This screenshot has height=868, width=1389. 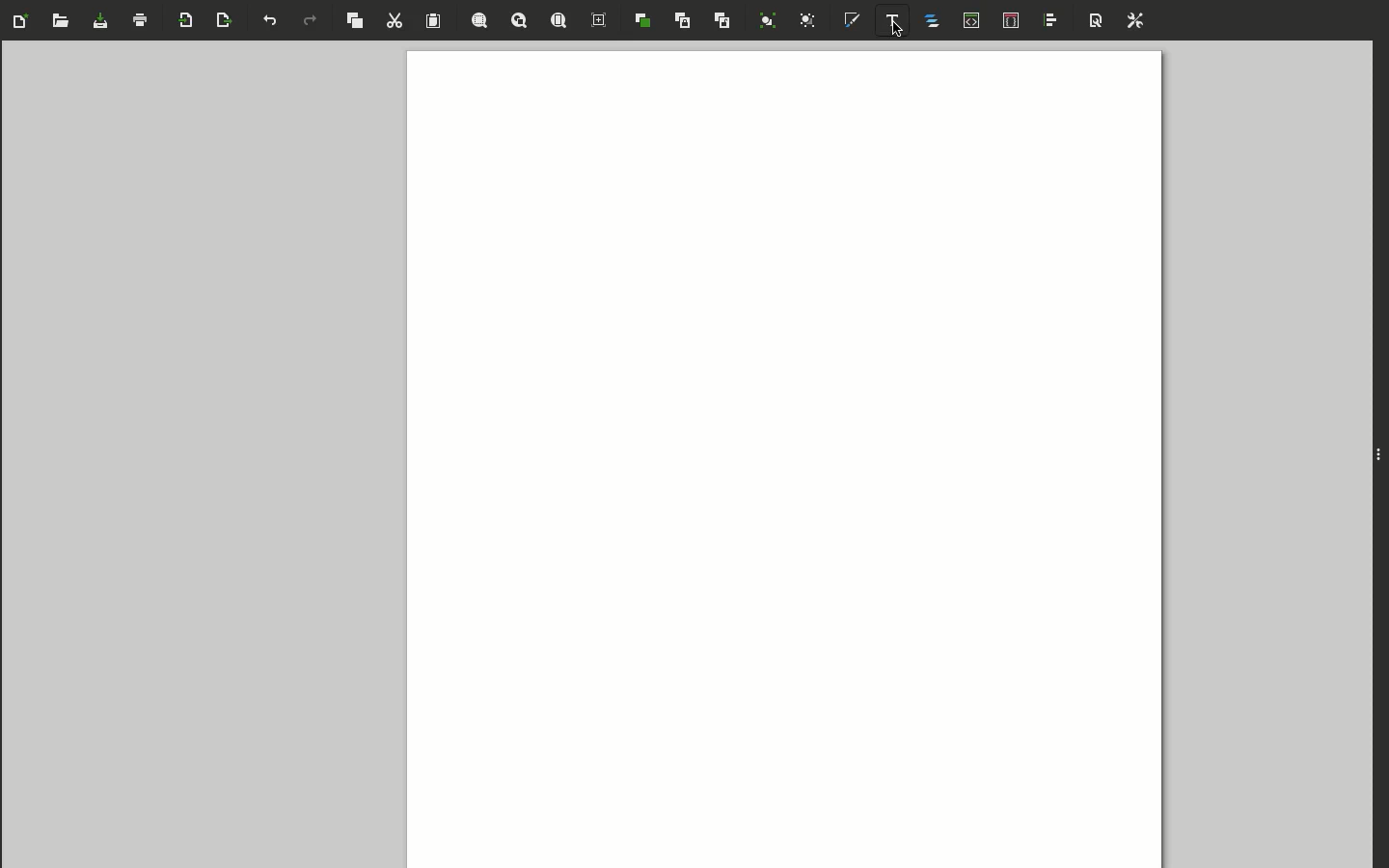 What do you see at coordinates (311, 23) in the screenshot?
I see `Redo` at bounding box center [311, 23].